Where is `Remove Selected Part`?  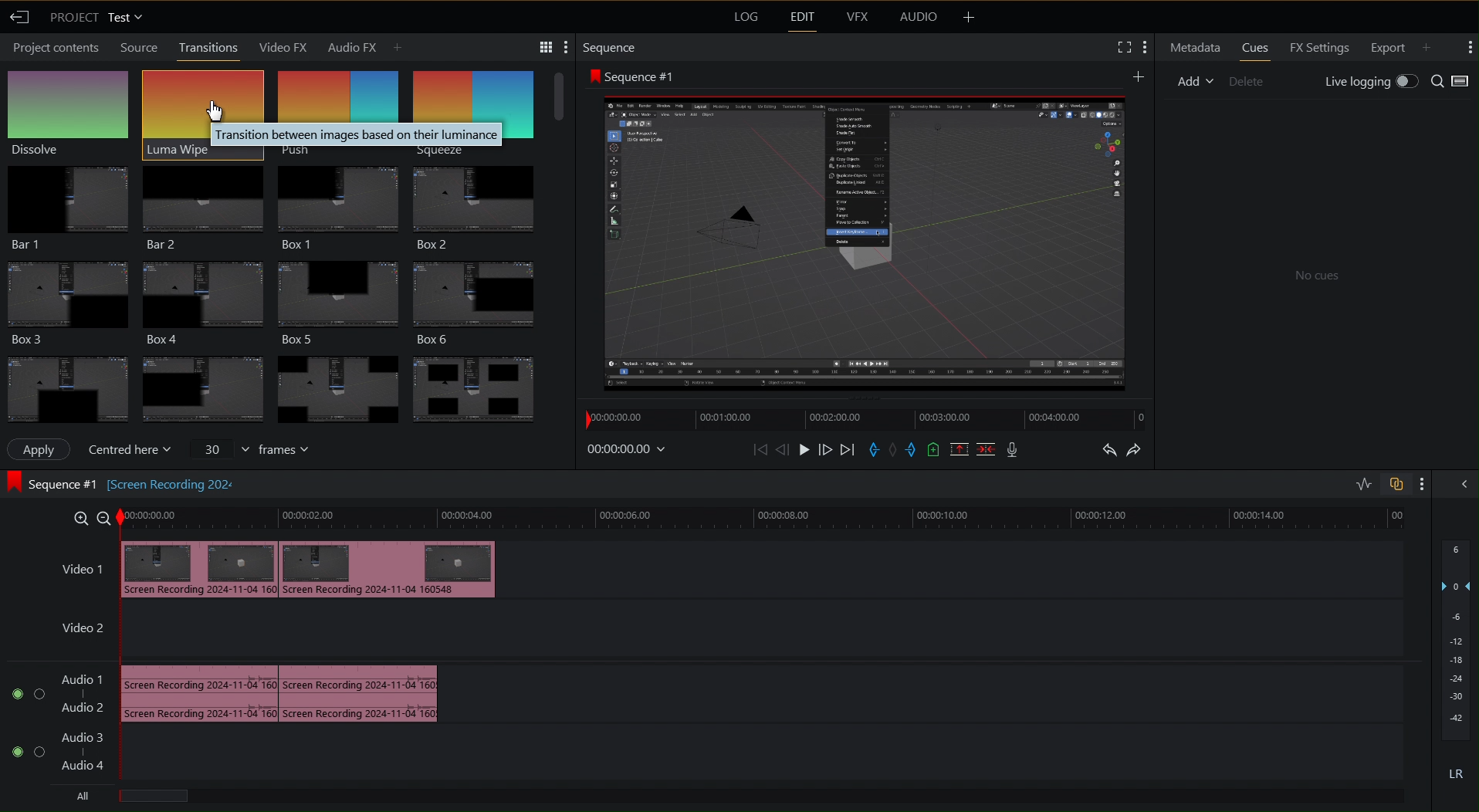 Remove Selected Part is located at coordinates (960, 449).